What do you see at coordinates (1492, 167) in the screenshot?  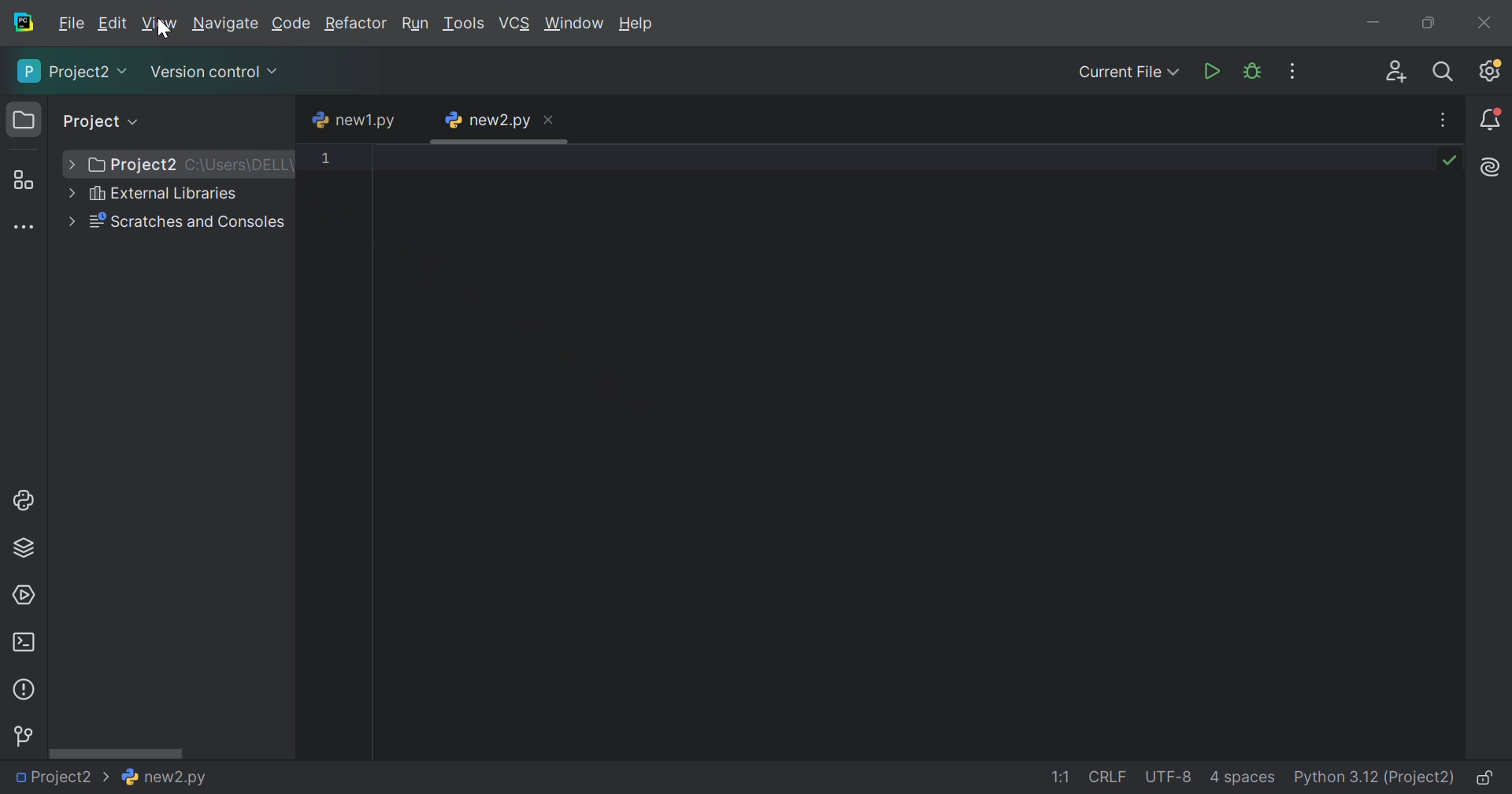 I see `AI Assistant` at bounding box center [1492, 167].